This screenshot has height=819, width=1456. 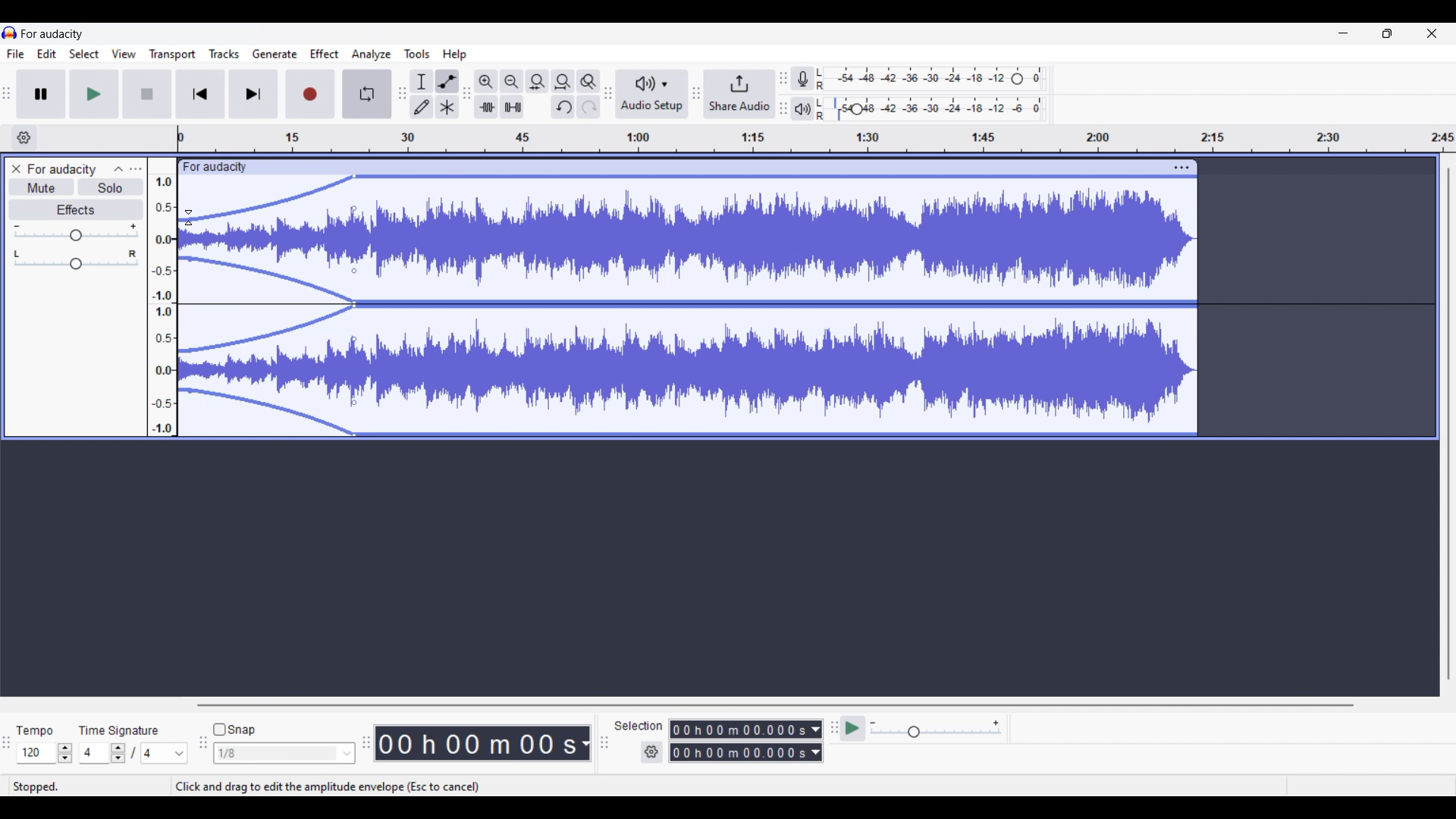 What do you see at coordinates (739, 740) in the screenshot?
I see `Selection duration` at bounding box center [739, 740].